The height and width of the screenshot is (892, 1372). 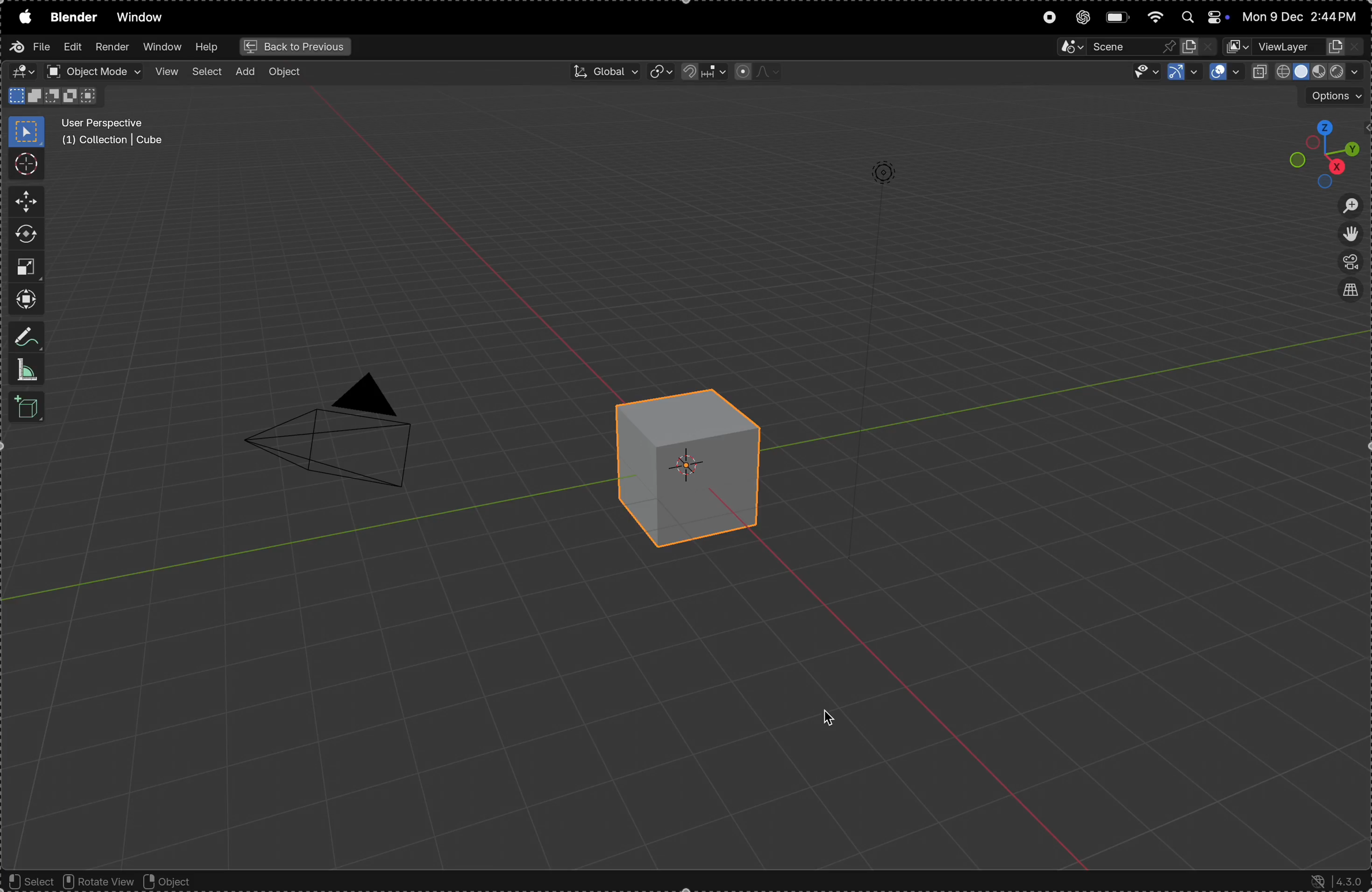 What do you see at coordinates (1302, 14) in the screenshot?
I see `date and time` at bounding box center [1302, 14].